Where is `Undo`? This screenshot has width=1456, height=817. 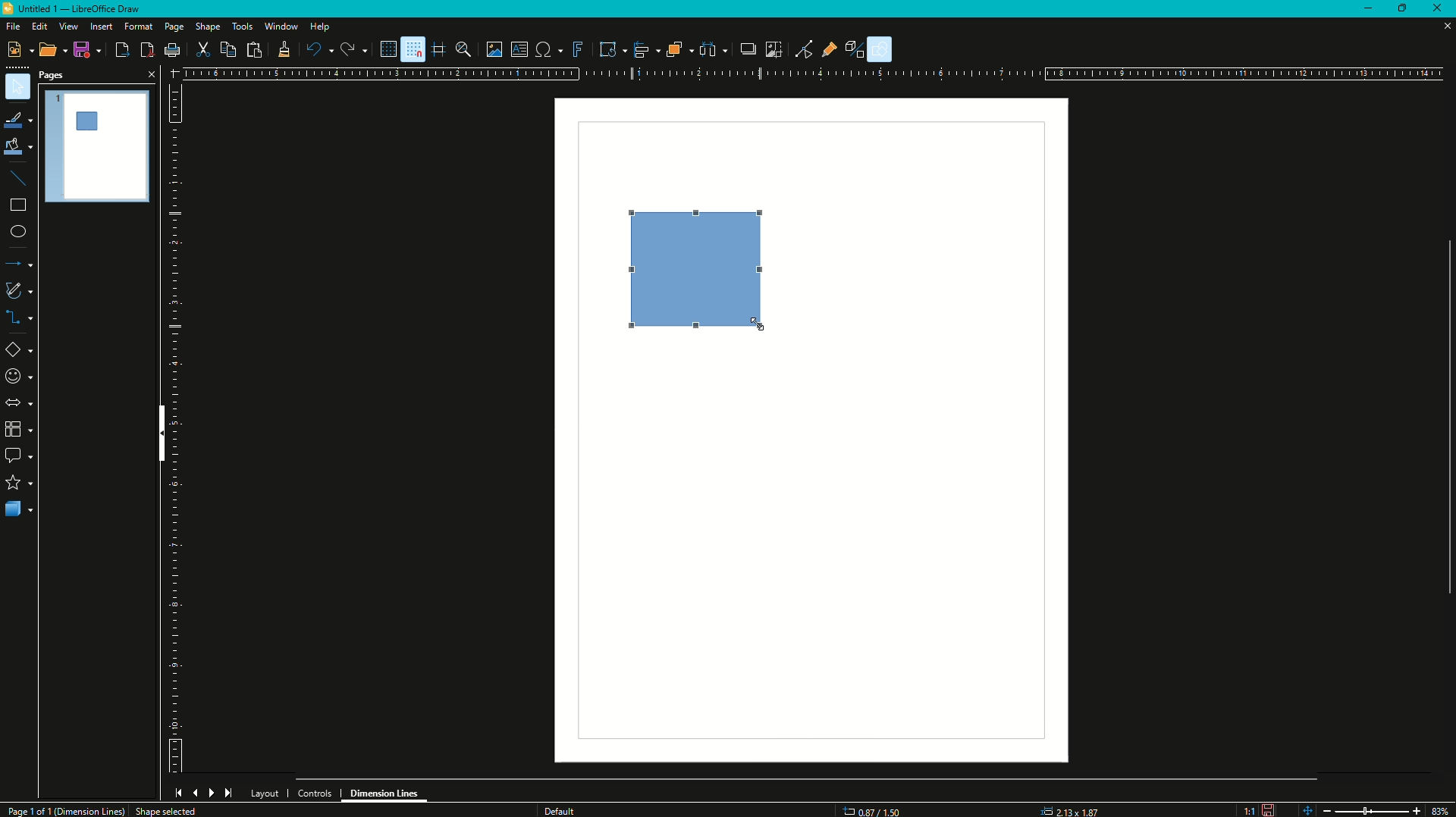
Undo is located at coordinates (318, 50).